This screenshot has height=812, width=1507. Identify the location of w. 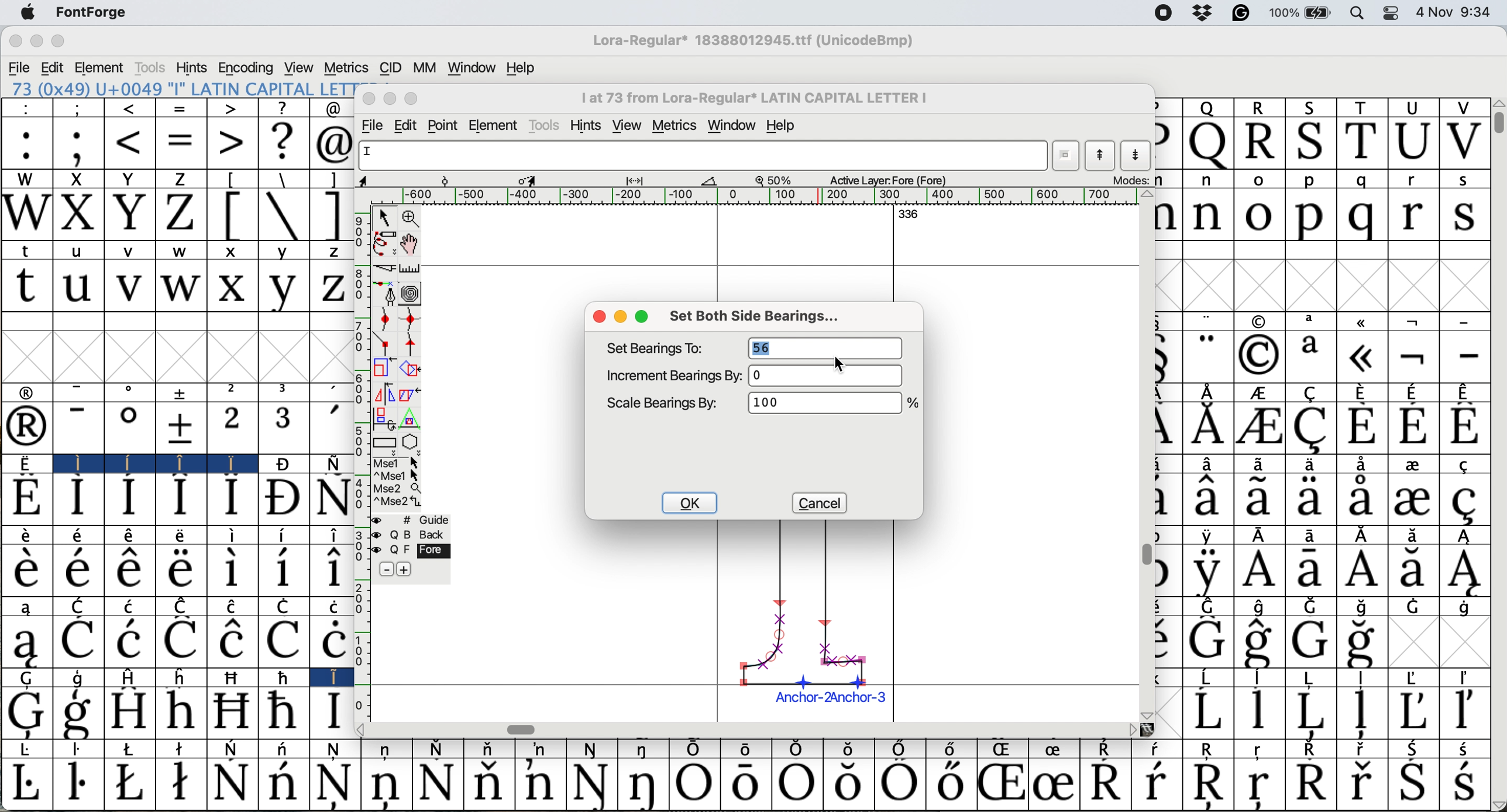
(182, 288).